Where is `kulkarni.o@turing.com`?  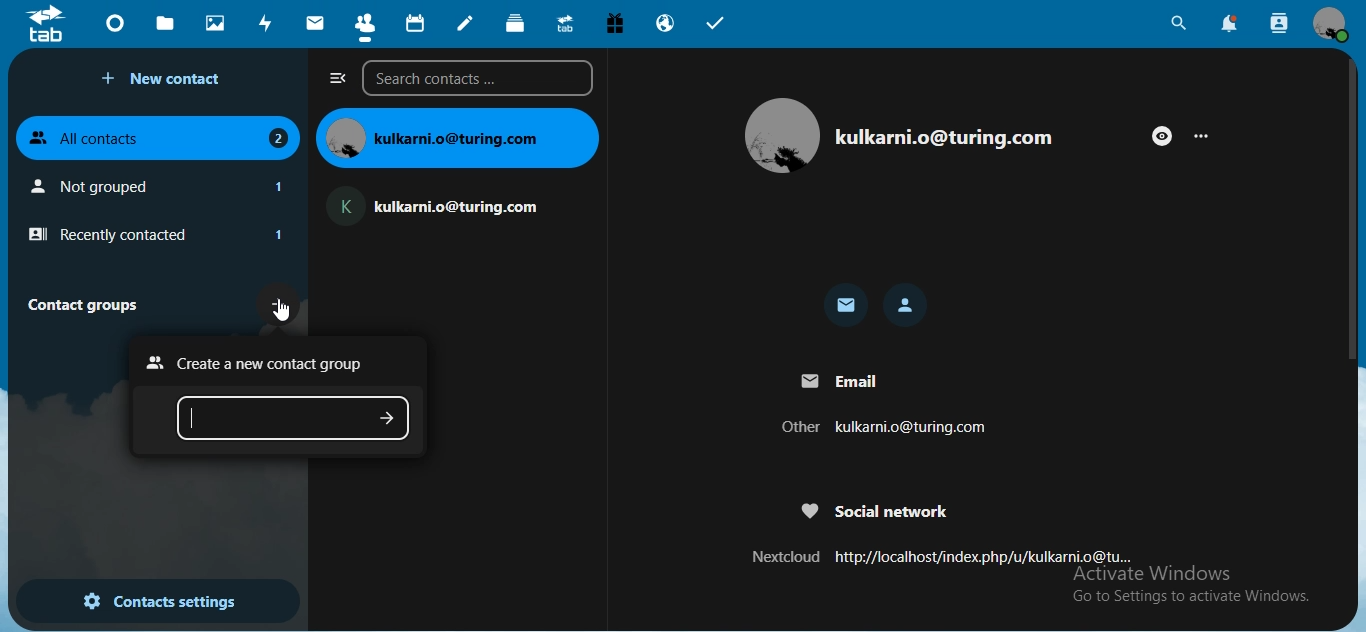 kulkarni.o@turing.com is located at coordinates (943, 137).